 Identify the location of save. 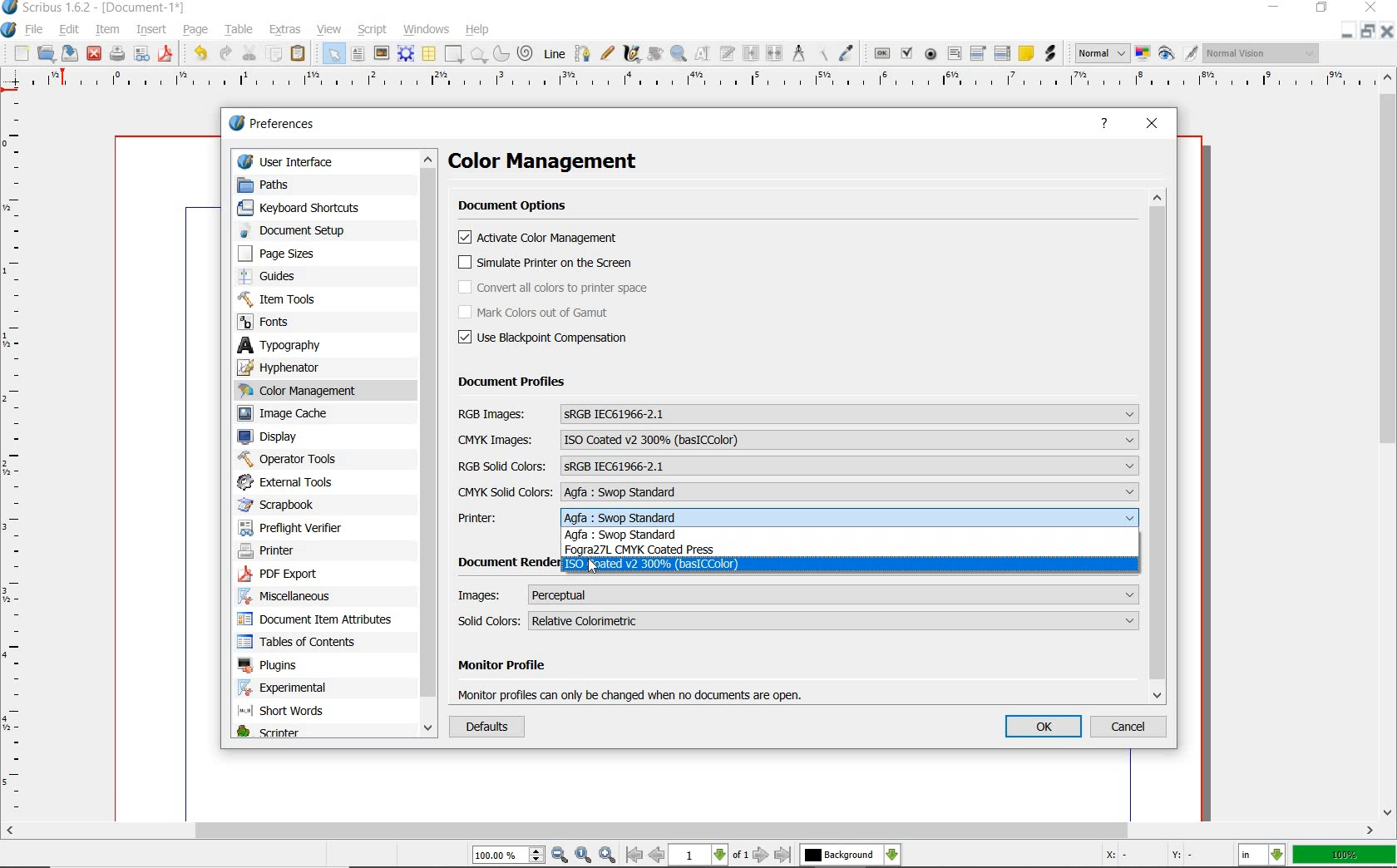
(71, 53).